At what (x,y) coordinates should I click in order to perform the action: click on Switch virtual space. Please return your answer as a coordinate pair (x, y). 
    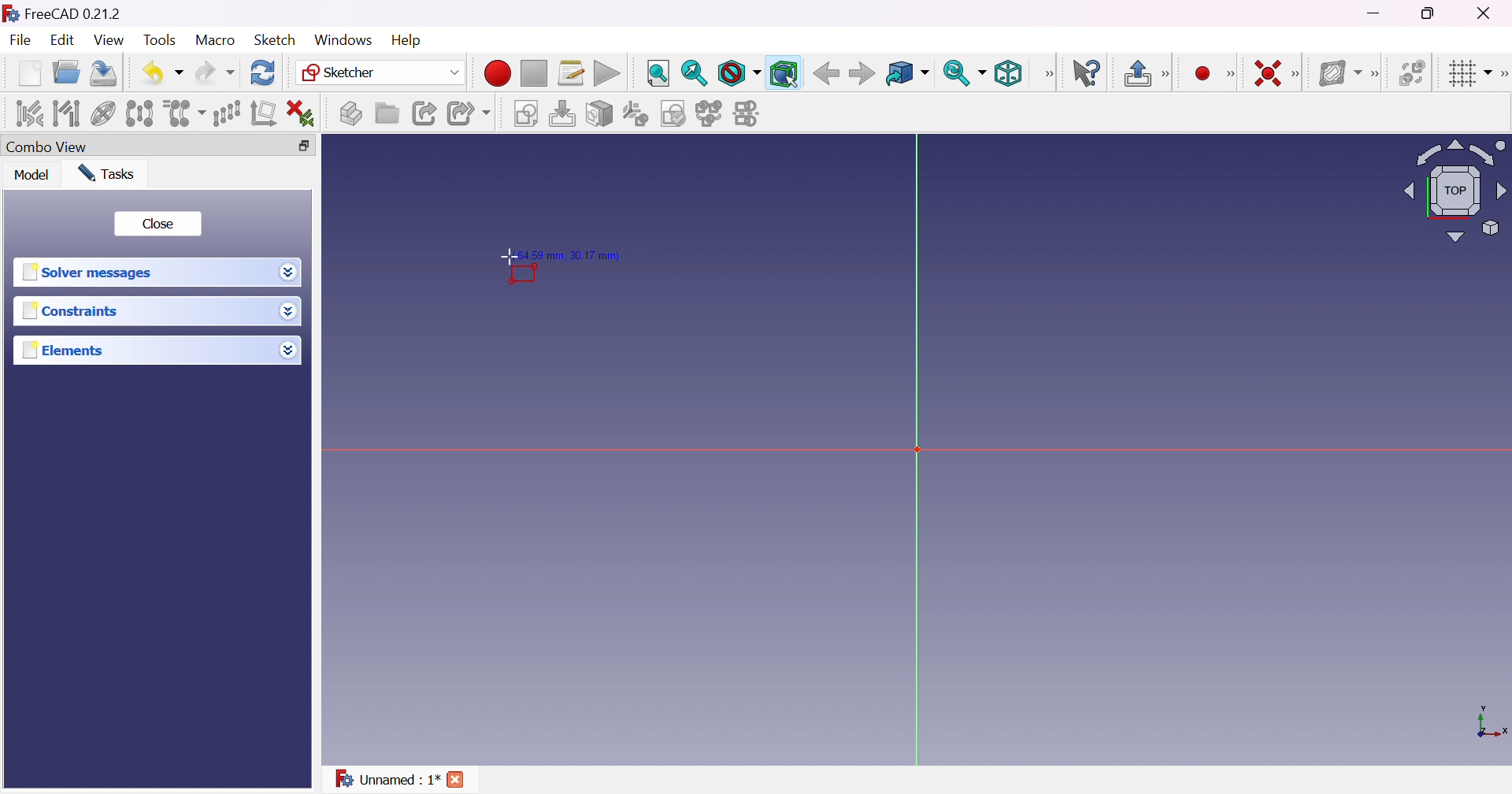
    Looking at the image, I should click on (1412, 74).